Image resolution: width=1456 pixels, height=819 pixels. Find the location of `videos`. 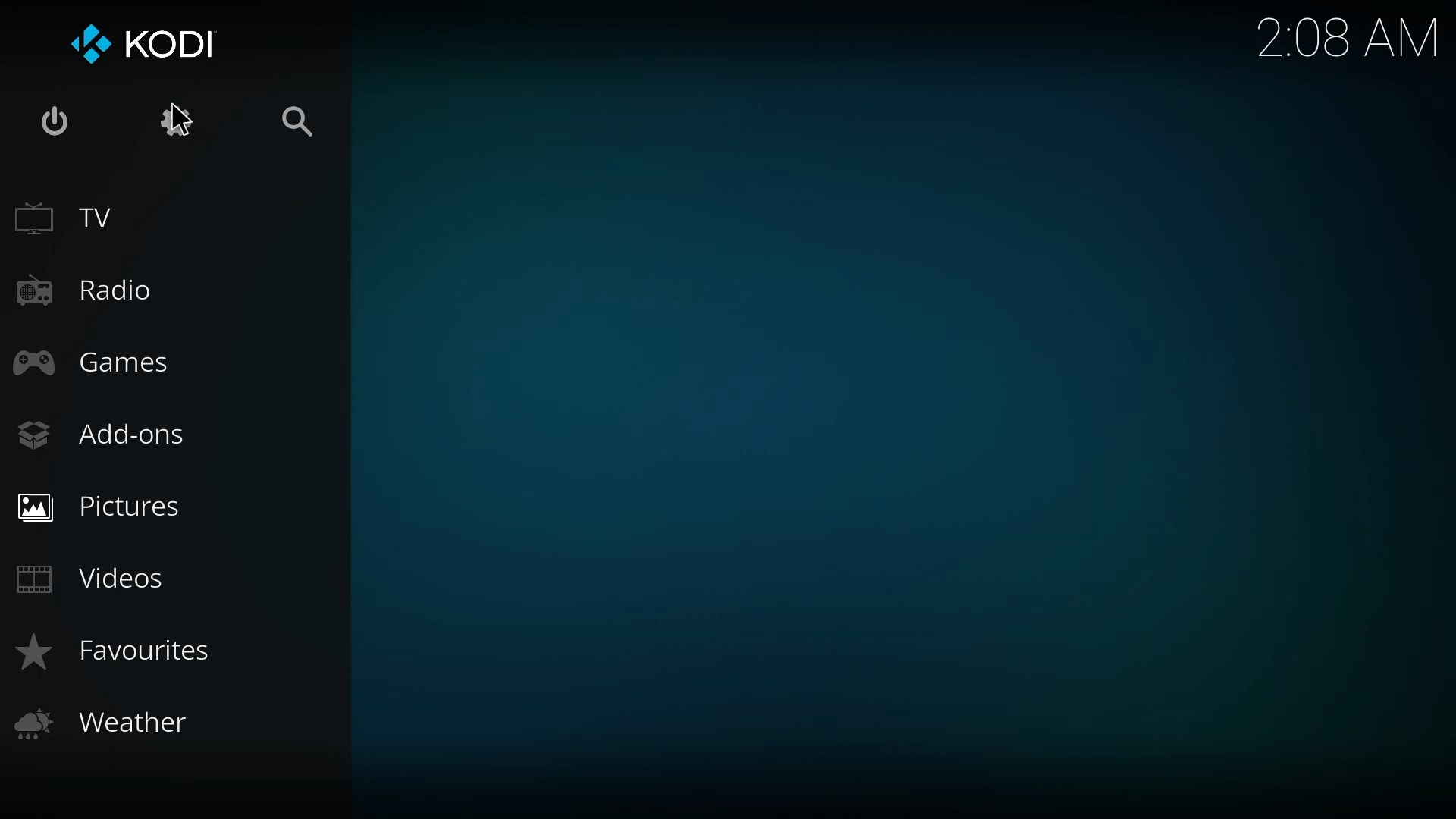

videos is located at coordinates (91, 575).